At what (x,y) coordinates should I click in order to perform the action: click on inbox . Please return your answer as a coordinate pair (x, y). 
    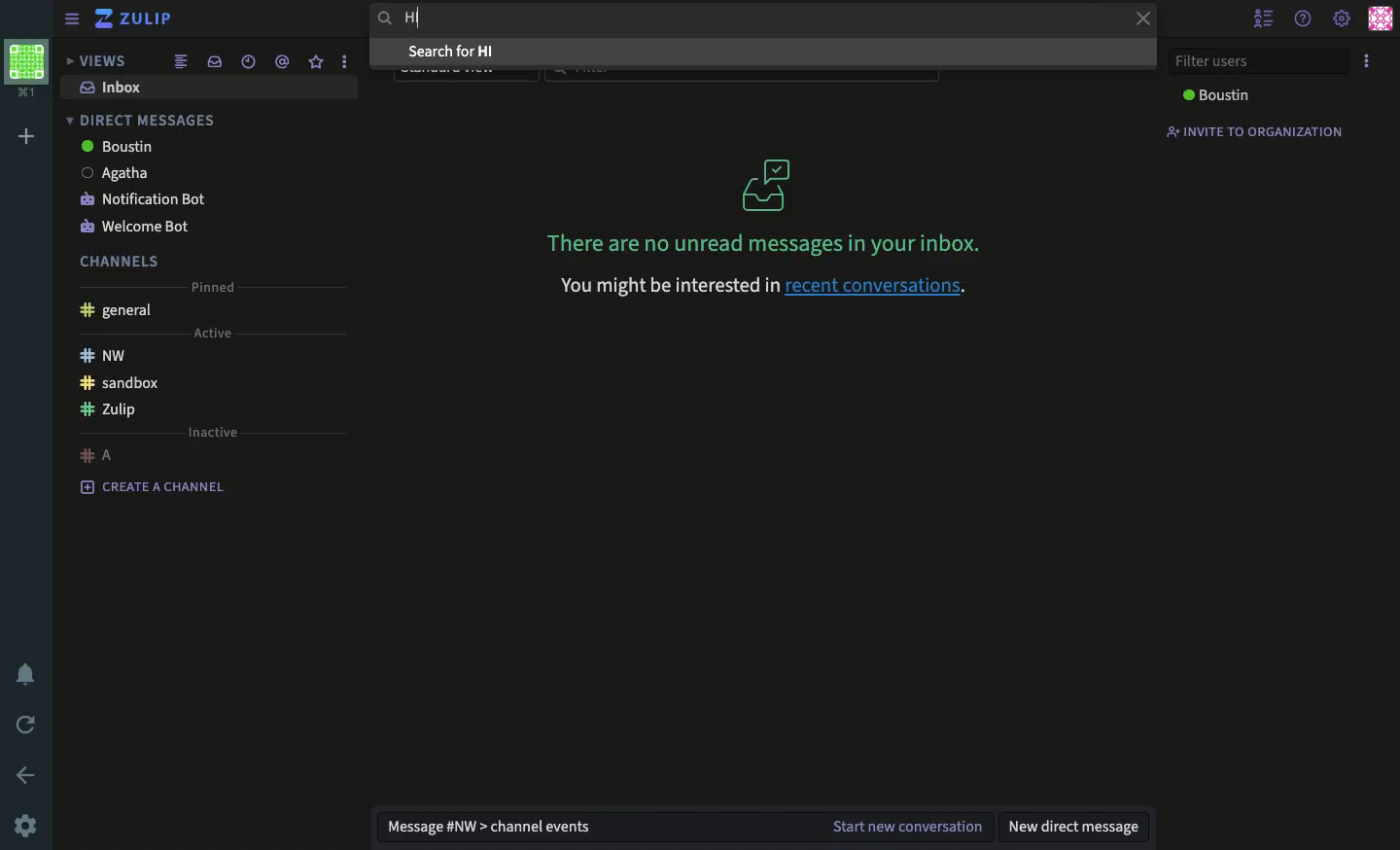
    Looking at the image, I should click on (113, 89).